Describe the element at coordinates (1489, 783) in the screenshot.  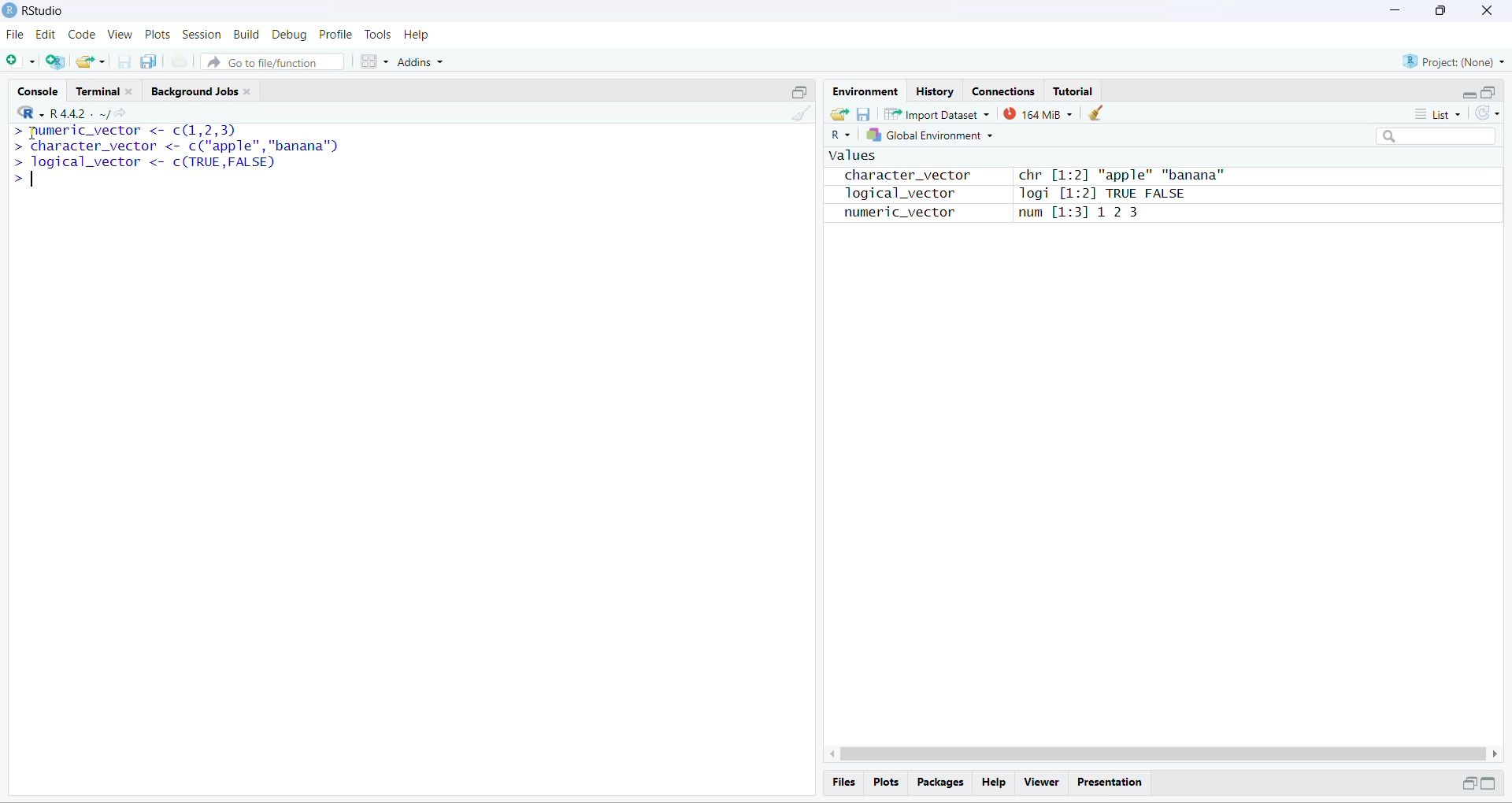
I see `maximize` at that location.